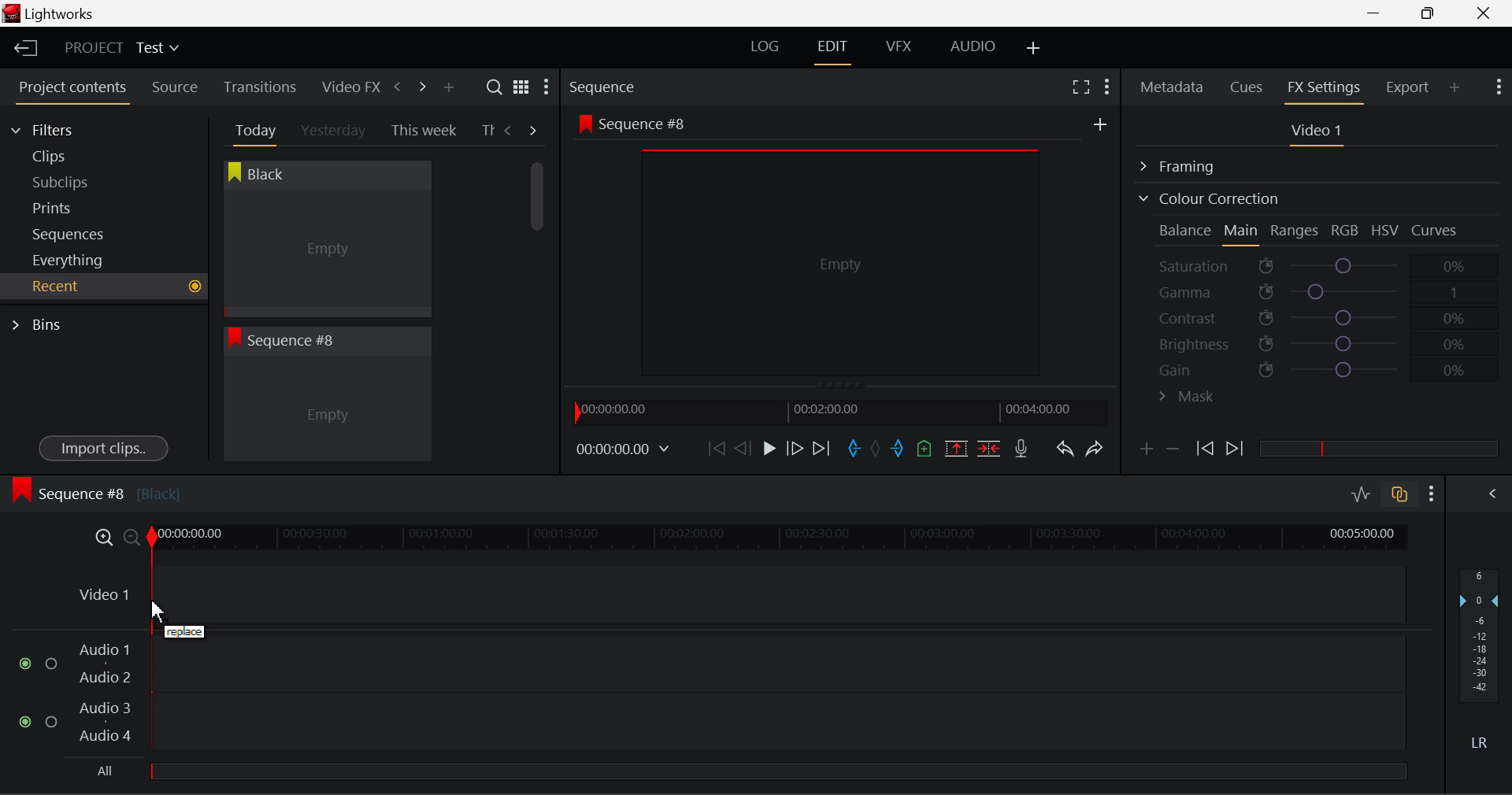 The width and height of the screenshot is (1512, 795). What do you see at coordinates (72, 91) in the screenshot?
I see `Project contents` at bounding box center [72, 91].